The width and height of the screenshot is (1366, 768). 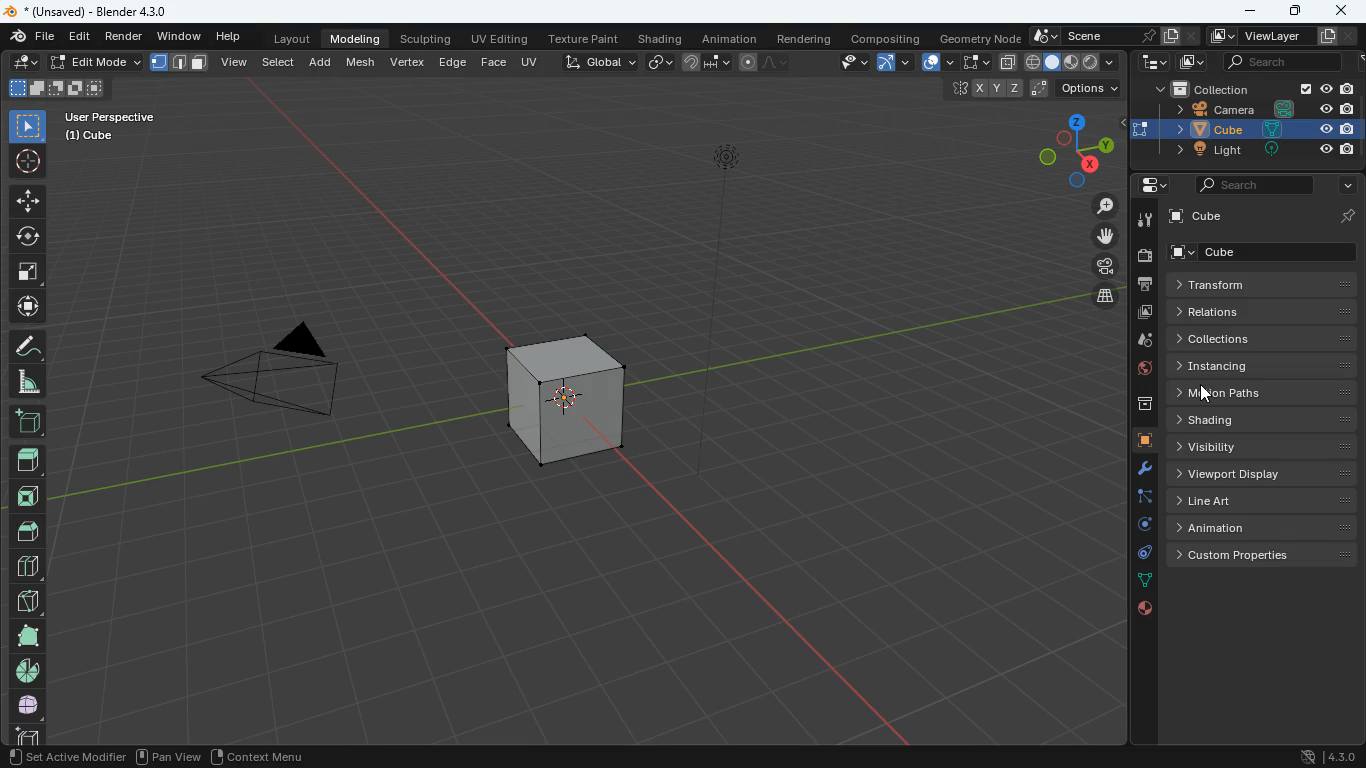 I want to click on file, so click(x=30, y=37).